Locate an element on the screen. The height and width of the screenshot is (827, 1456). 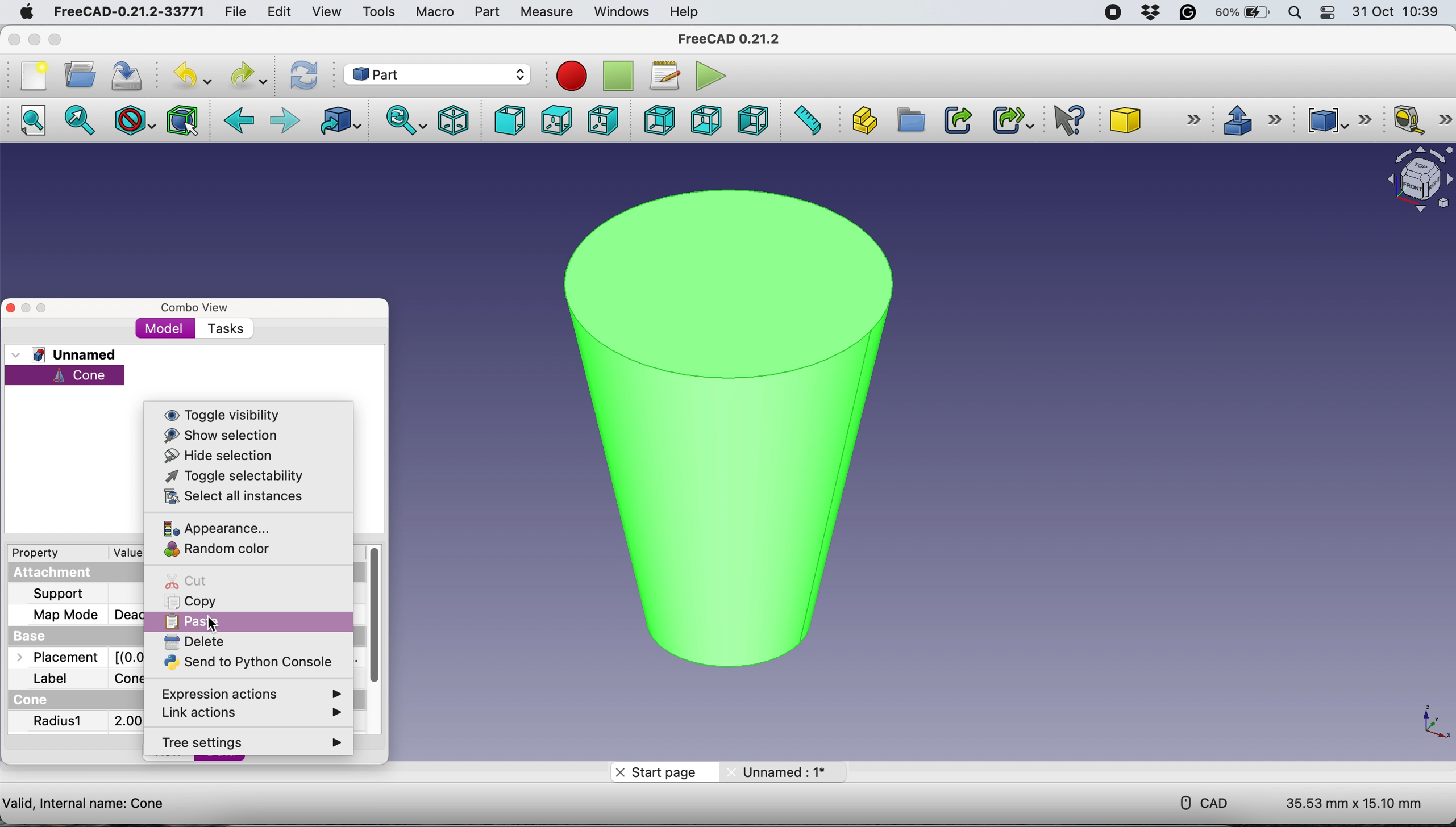
support is located at coordinates (61, 594).